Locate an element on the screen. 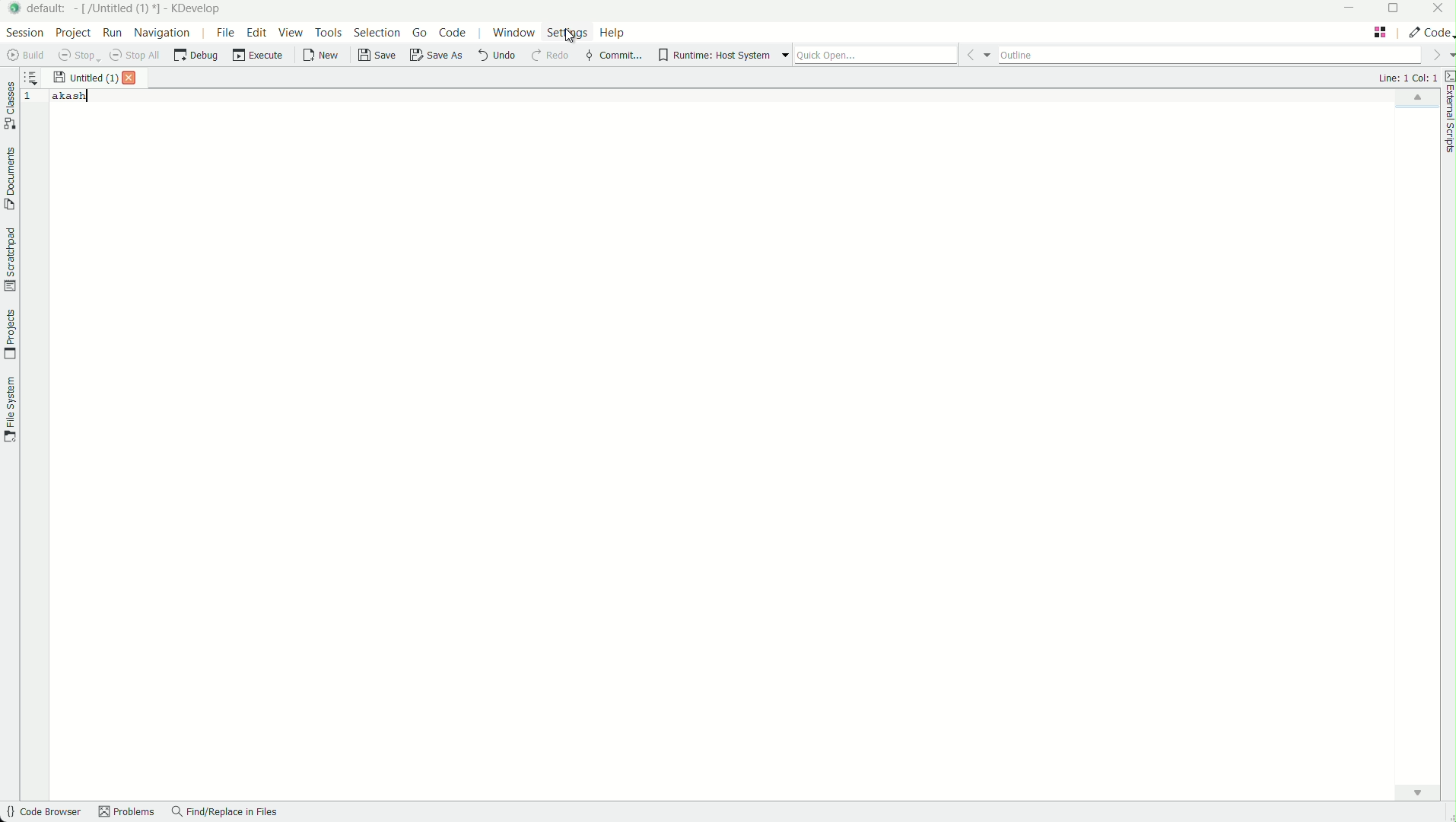  quick open is located at coordinates (876, 56).